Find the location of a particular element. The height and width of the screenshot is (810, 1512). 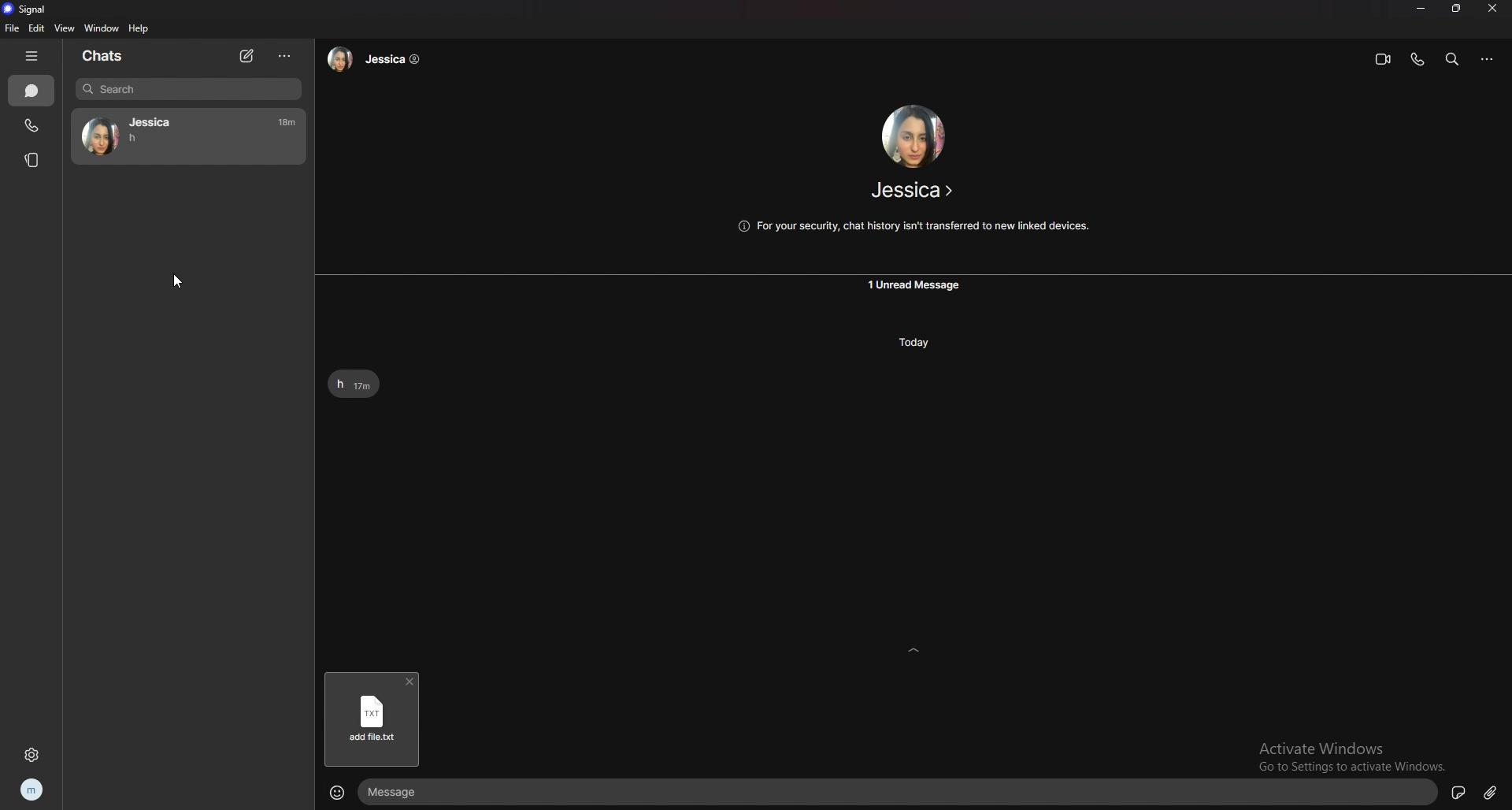

resize is located at coordinates (1456, 8).